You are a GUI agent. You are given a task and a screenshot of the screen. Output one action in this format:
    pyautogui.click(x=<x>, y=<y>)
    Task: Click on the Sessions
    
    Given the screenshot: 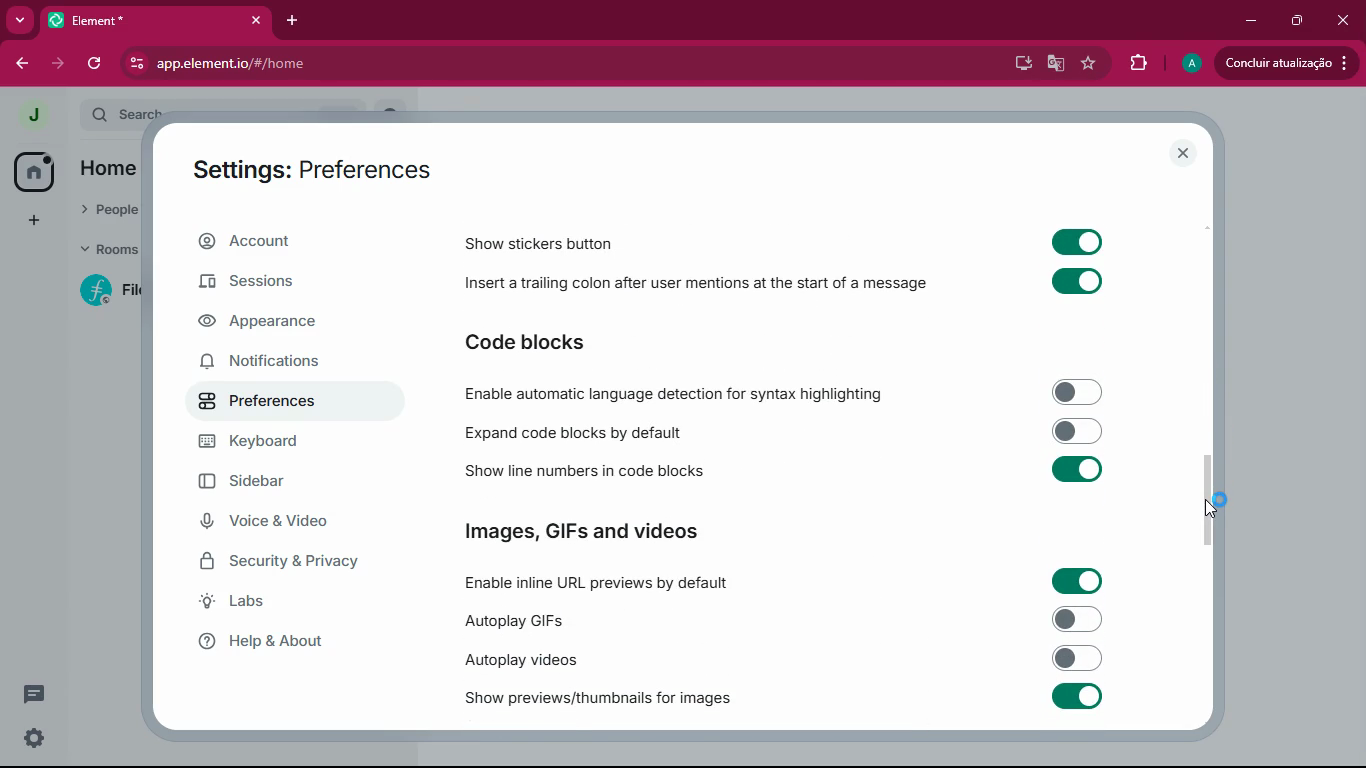 What is the action you would take?
    pyautogui.click(x=266, y=282)
    